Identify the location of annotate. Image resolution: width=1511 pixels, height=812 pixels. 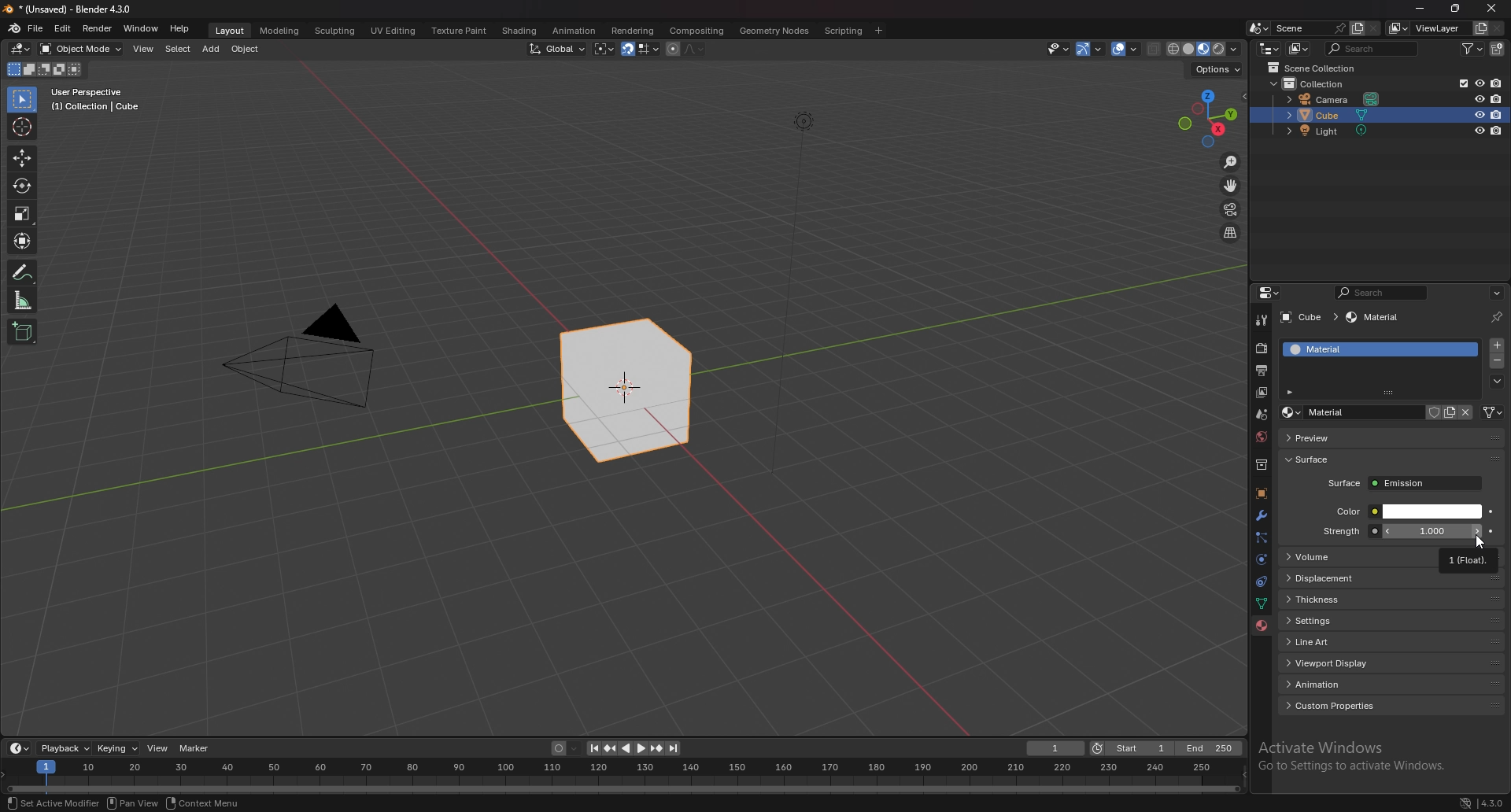
(23, 272).